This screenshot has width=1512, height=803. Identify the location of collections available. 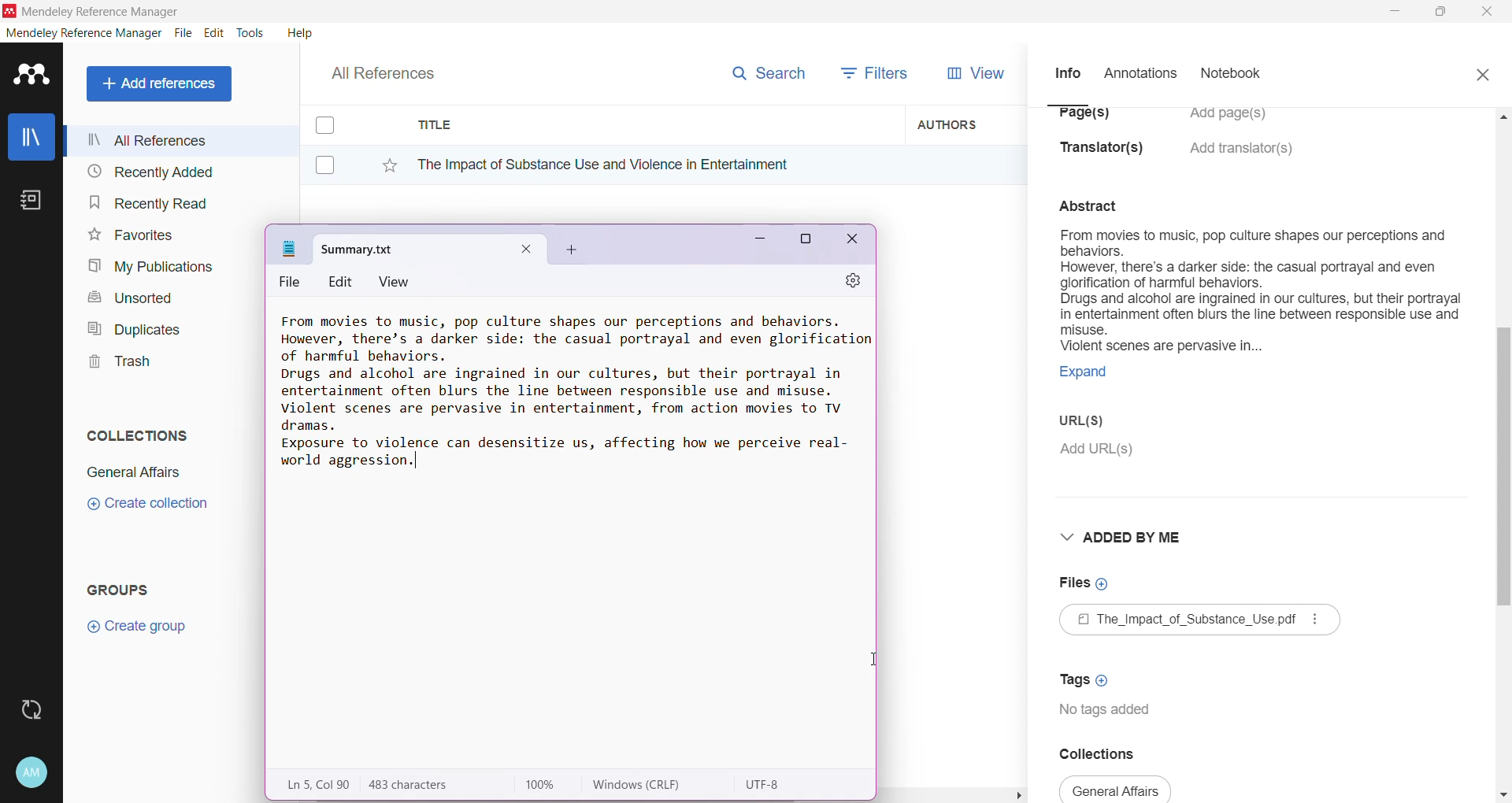
(1117, 789).